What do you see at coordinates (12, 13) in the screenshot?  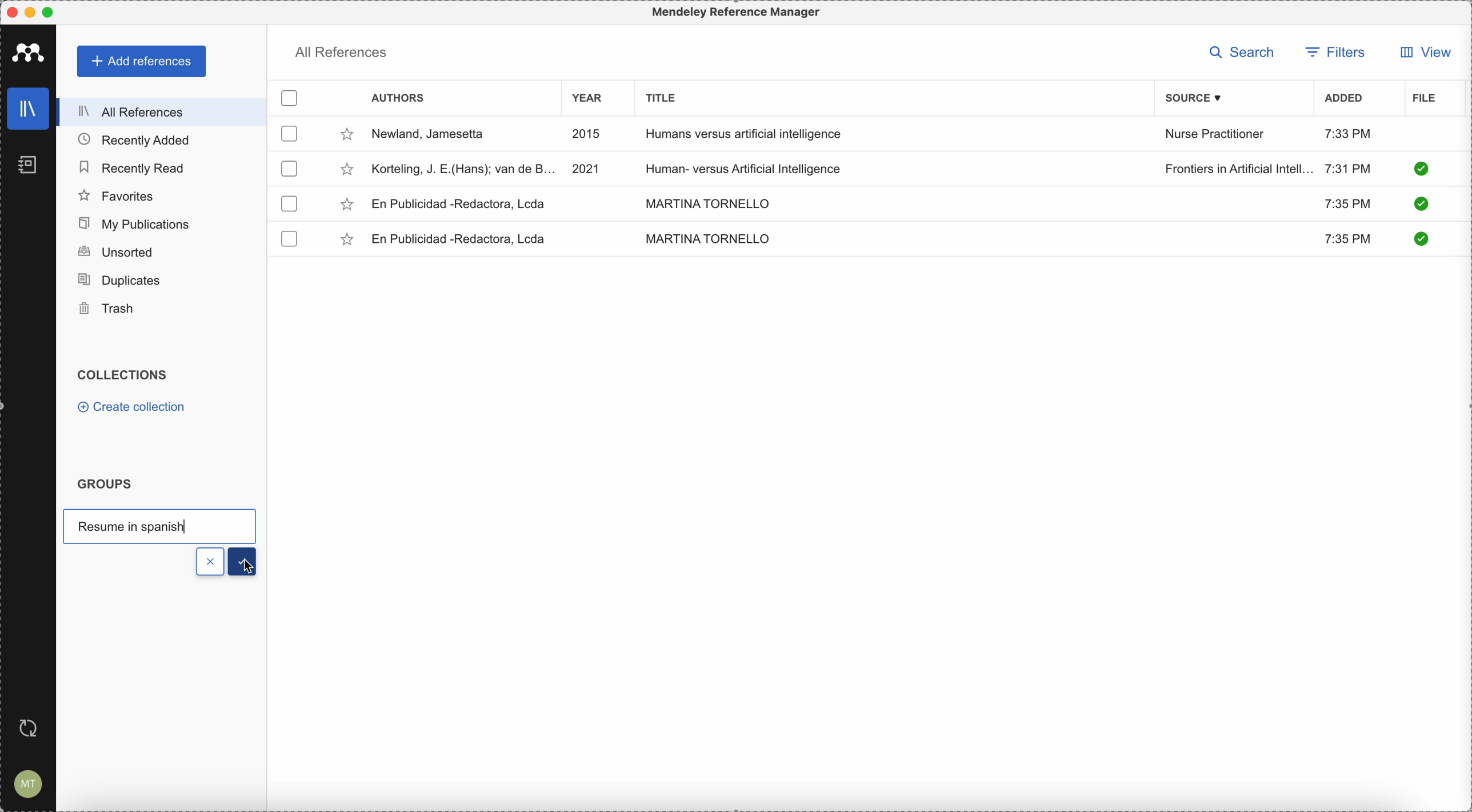 I see `close program` at bounding box center [12, 13].